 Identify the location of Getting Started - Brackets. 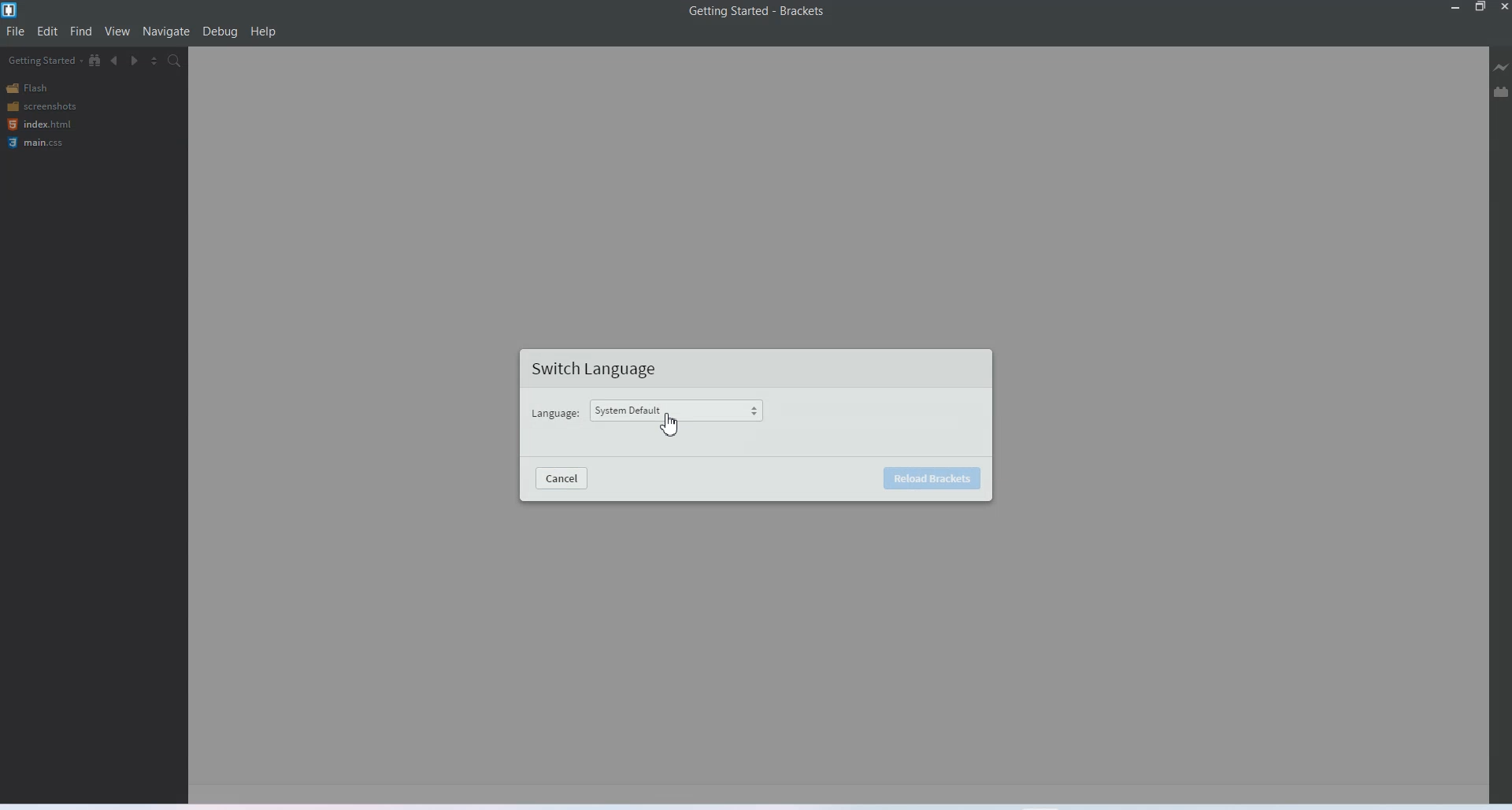
(756, 12).